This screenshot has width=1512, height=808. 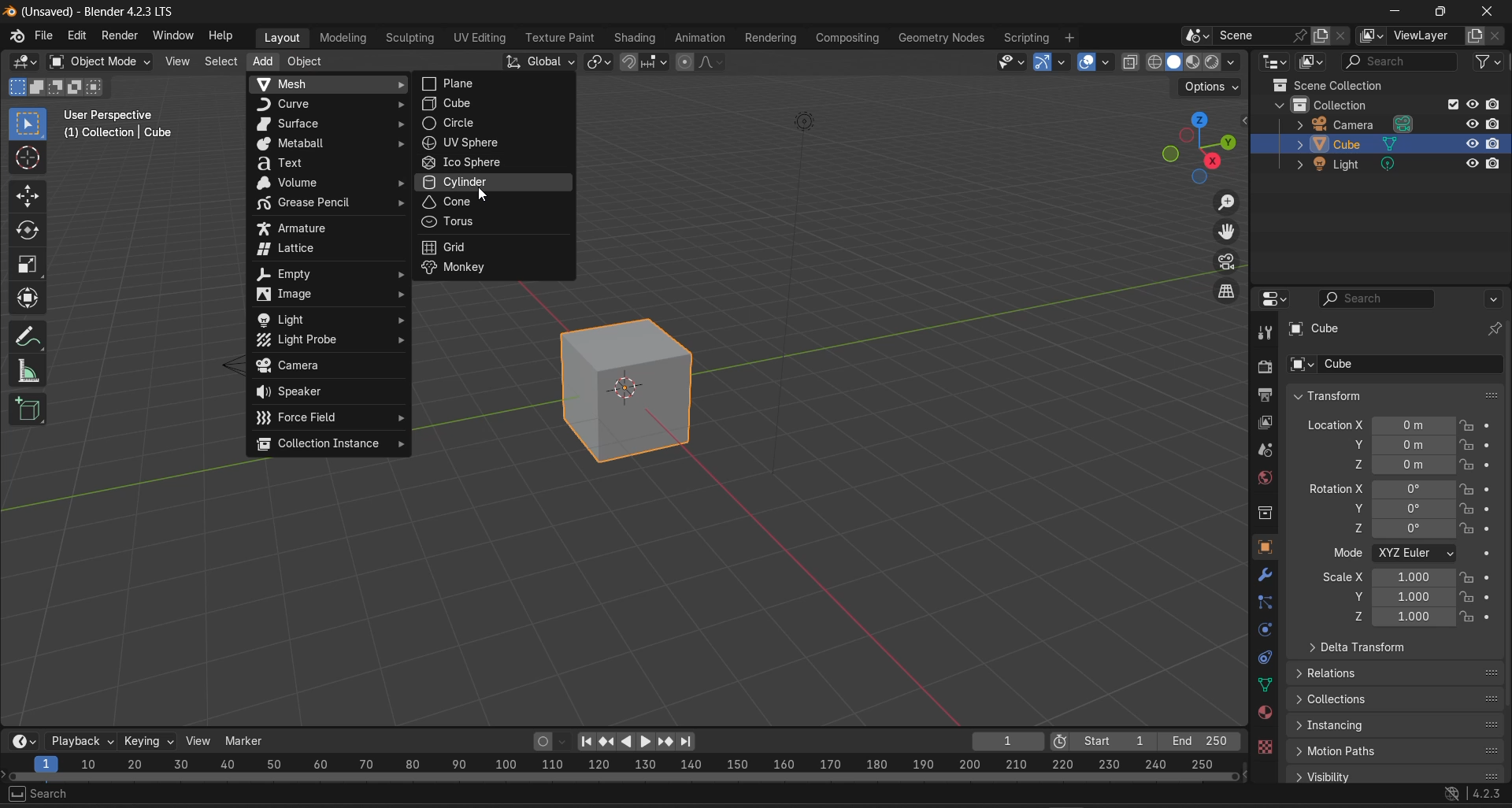 I want to click on disable in renders, so click(x=1496, y=165).